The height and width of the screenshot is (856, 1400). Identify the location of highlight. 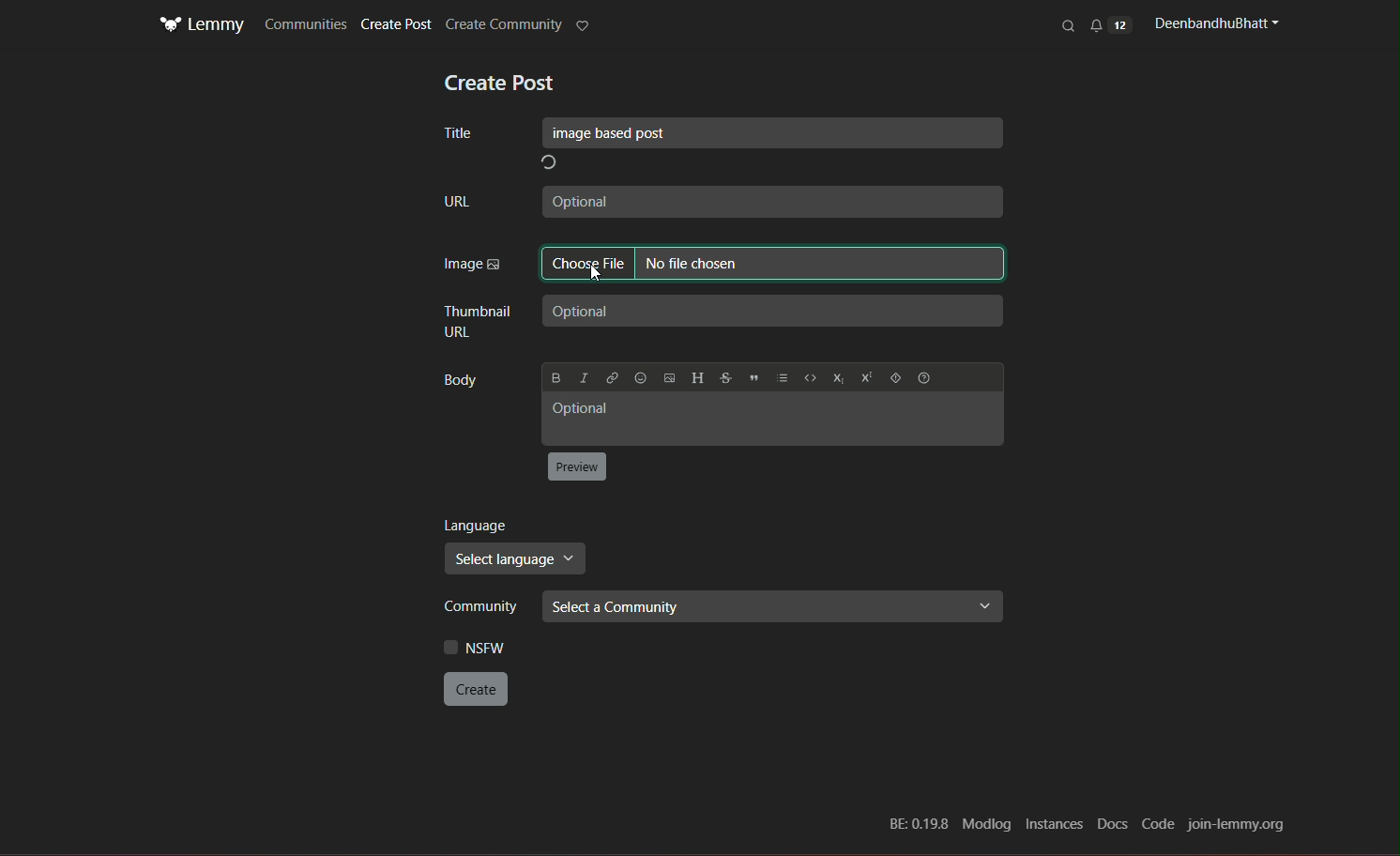
(772, 266).